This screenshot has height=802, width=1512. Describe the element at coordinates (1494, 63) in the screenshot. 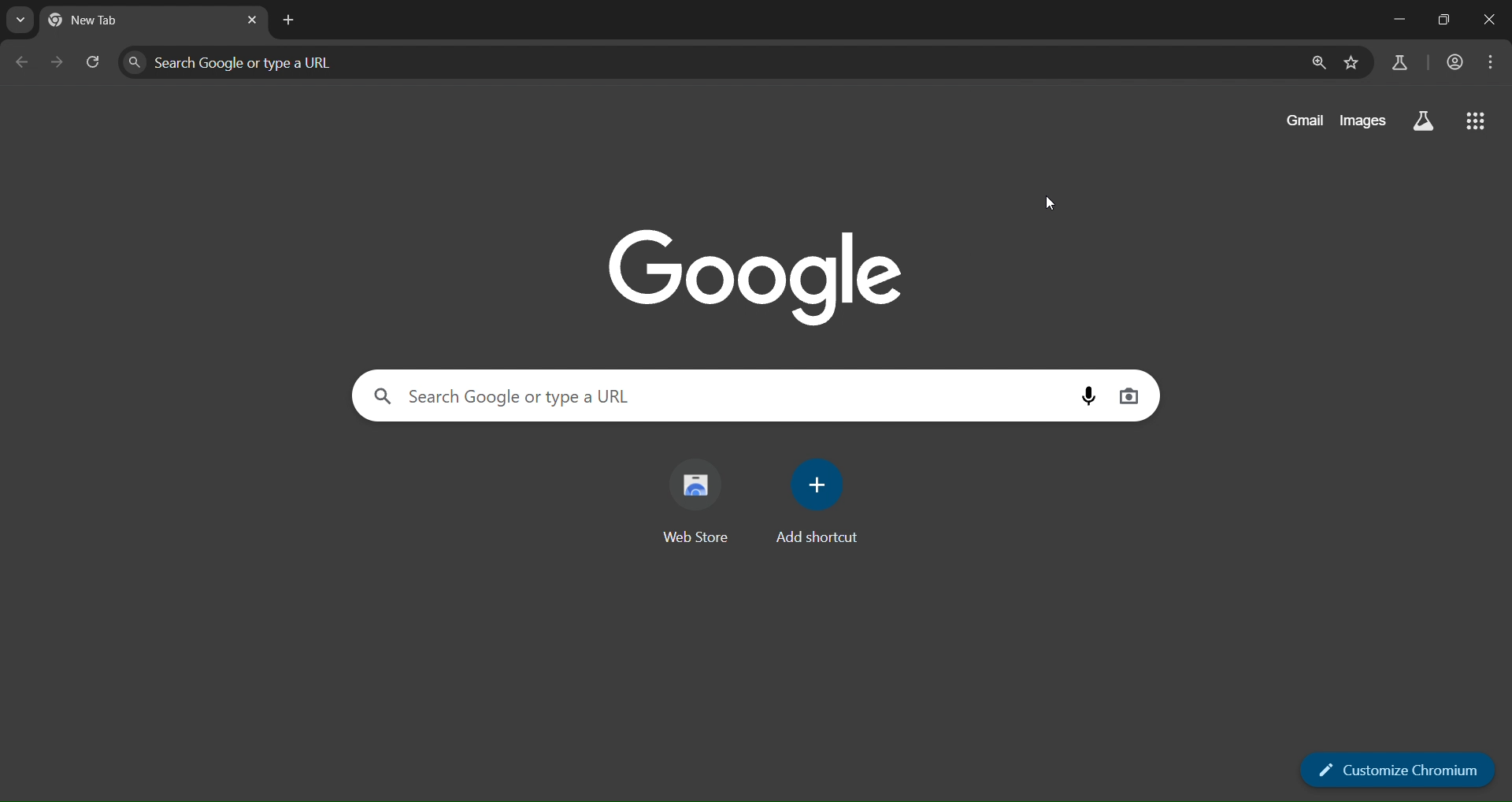

I see `menu` at that location.